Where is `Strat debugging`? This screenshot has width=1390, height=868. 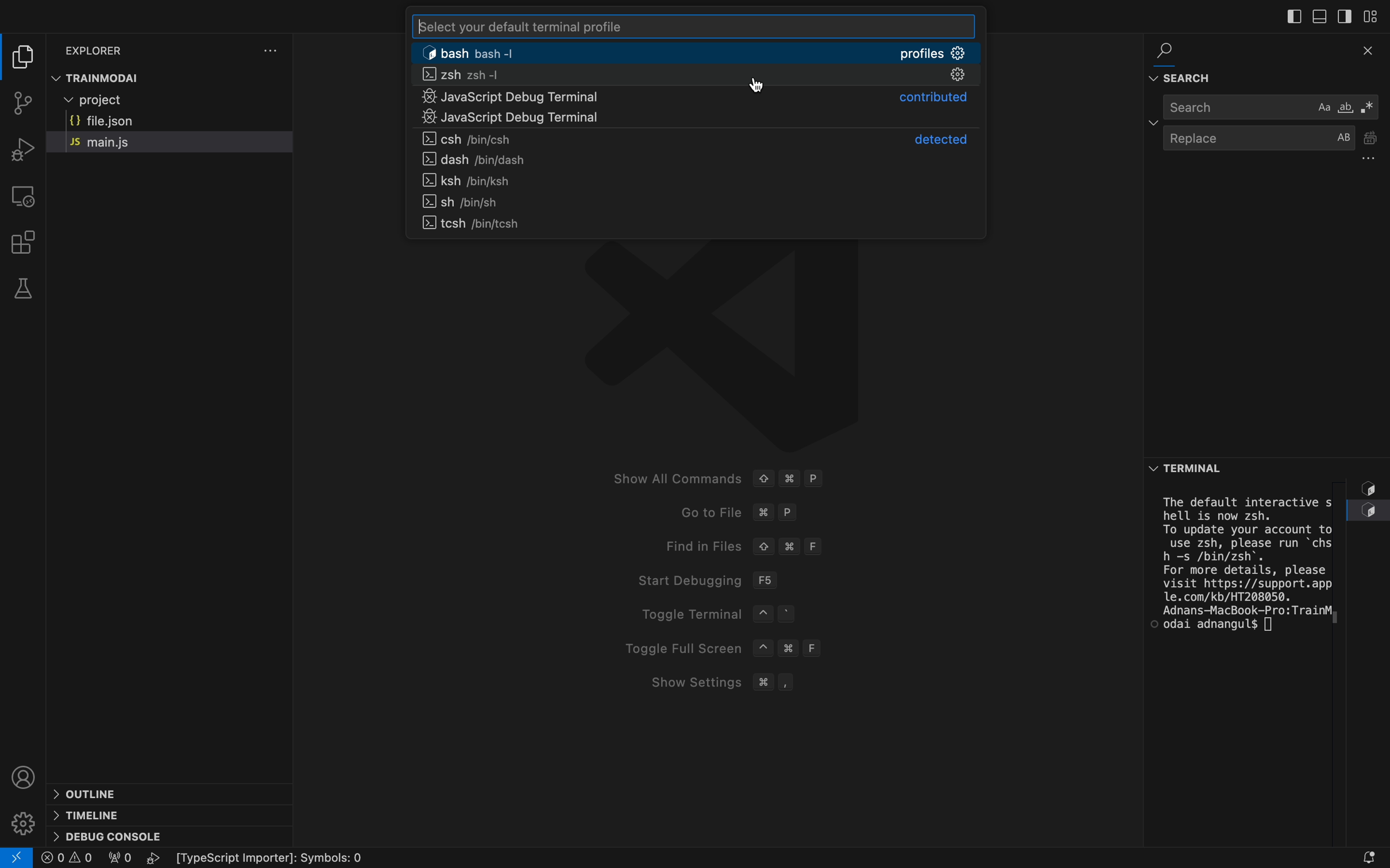 Strat debugging is located at coordinates (773, 580).